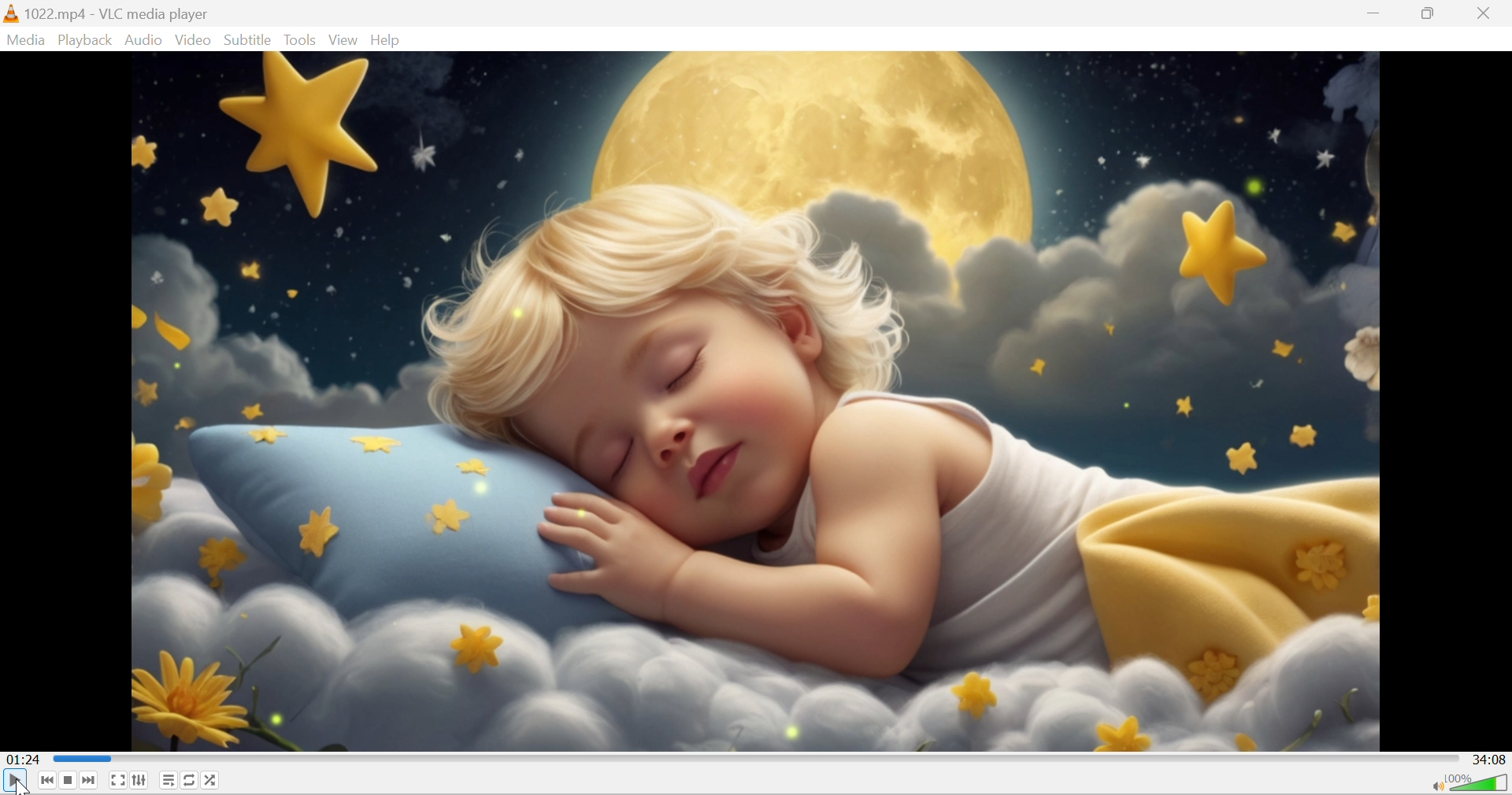 This screenshot has width=1512, height=795. What do you see at coordinates (755, 400) in the screenshot?
I see `video` at bounding box center [755, 400].